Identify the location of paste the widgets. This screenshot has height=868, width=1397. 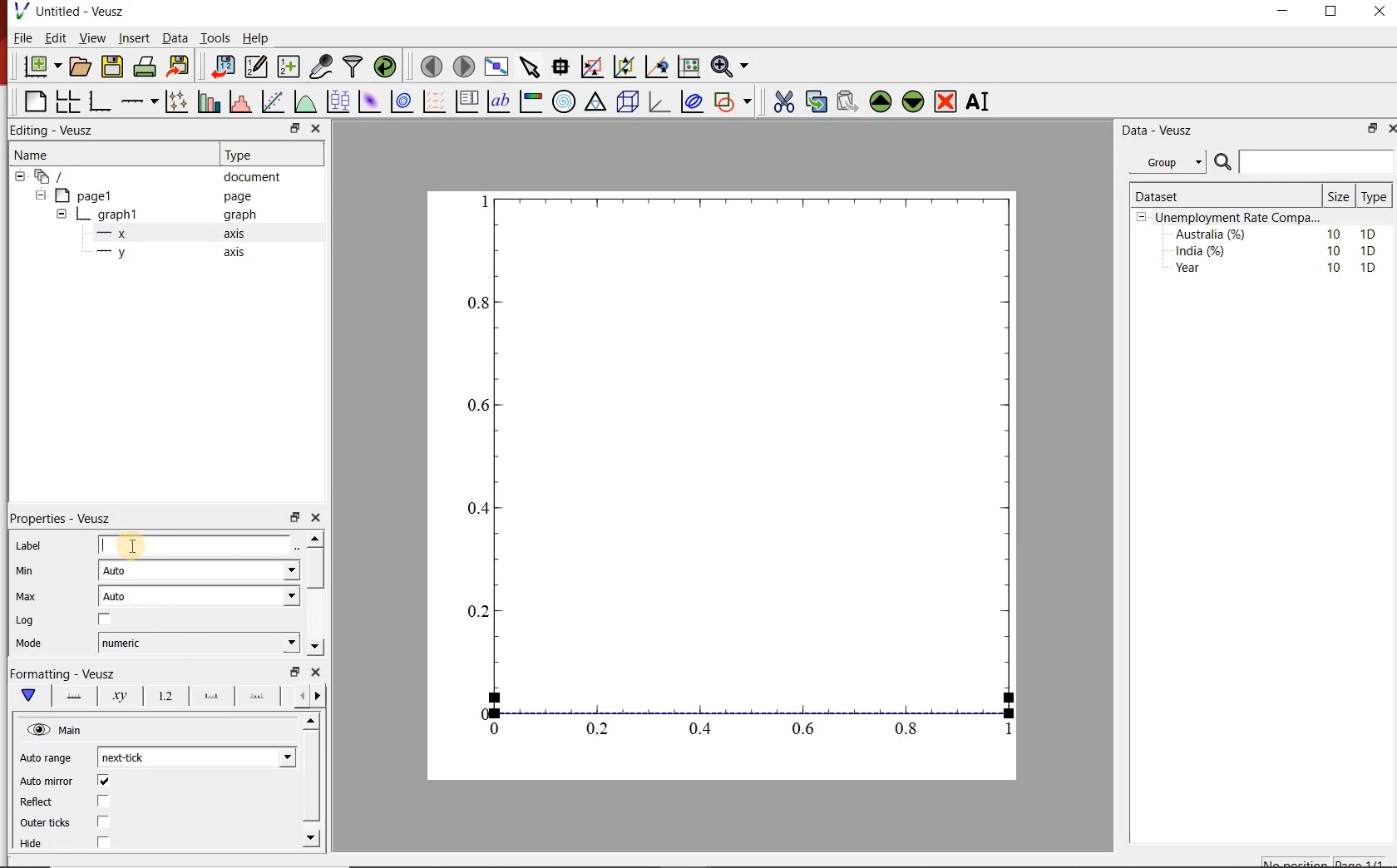
(848, 101).